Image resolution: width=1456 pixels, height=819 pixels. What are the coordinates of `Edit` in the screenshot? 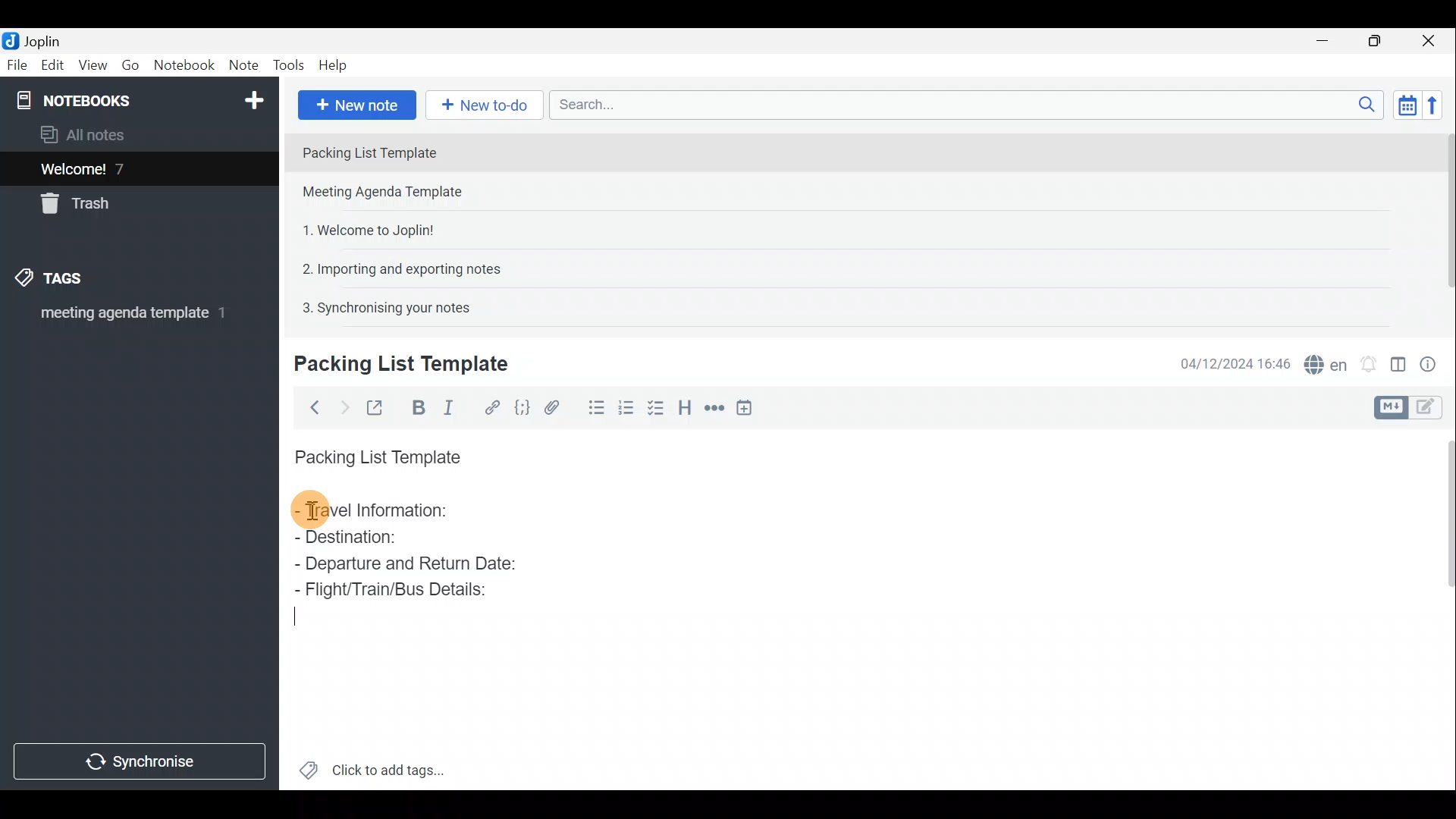 It's located at (49, 66).